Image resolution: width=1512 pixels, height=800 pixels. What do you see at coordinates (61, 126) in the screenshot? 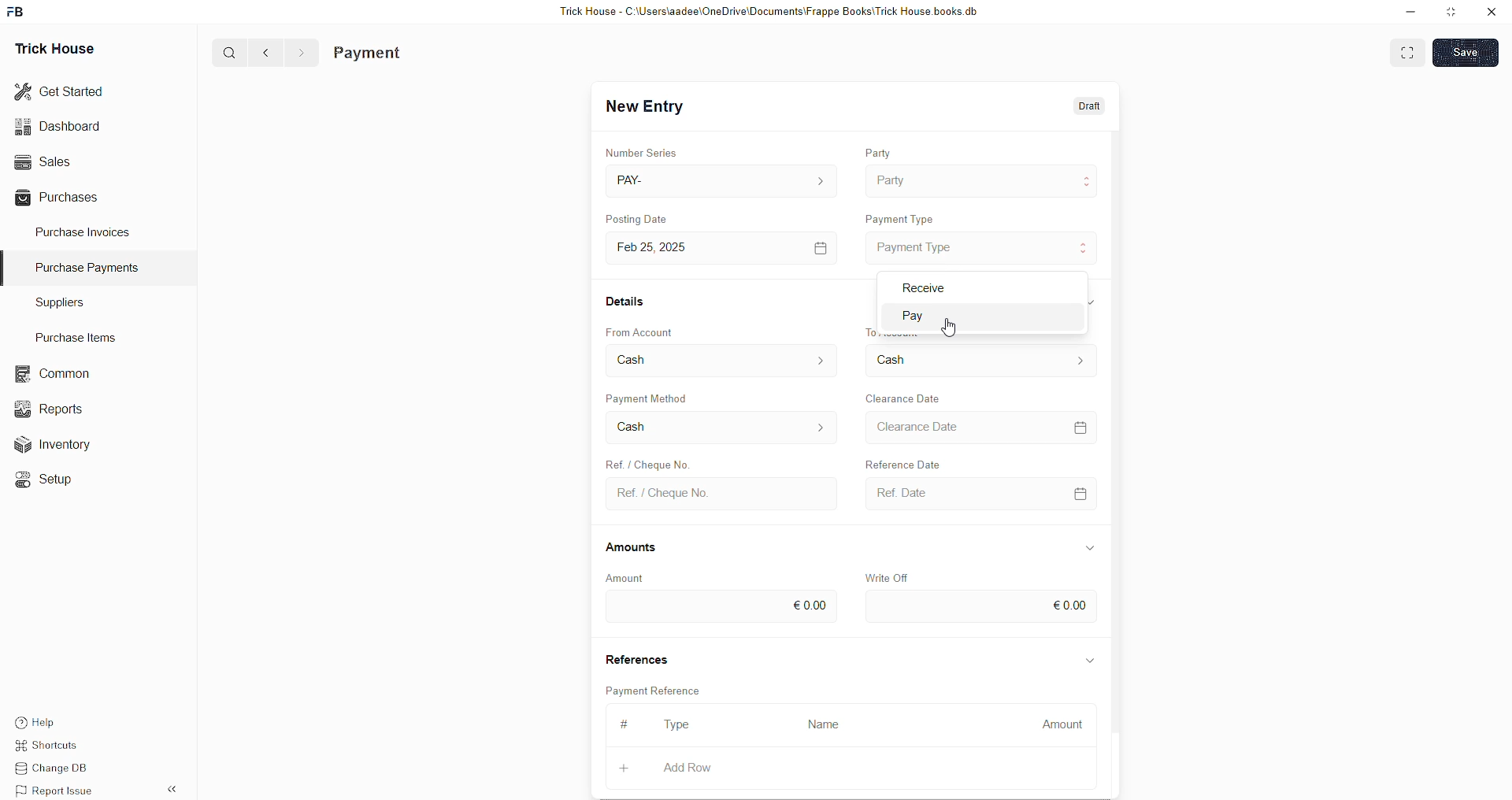
I see `Dashboard` at bounding box center [61, 126].